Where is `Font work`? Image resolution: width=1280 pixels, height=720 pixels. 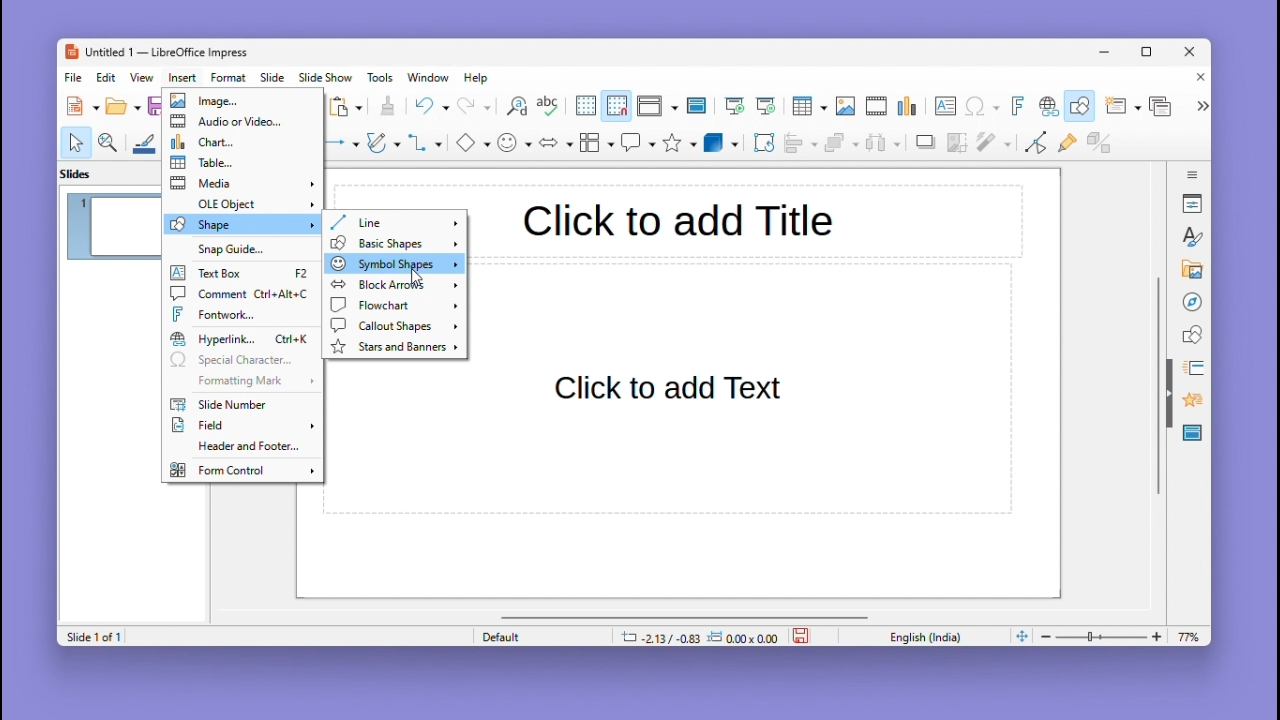 Font work is located at coordinates (1016, 106).